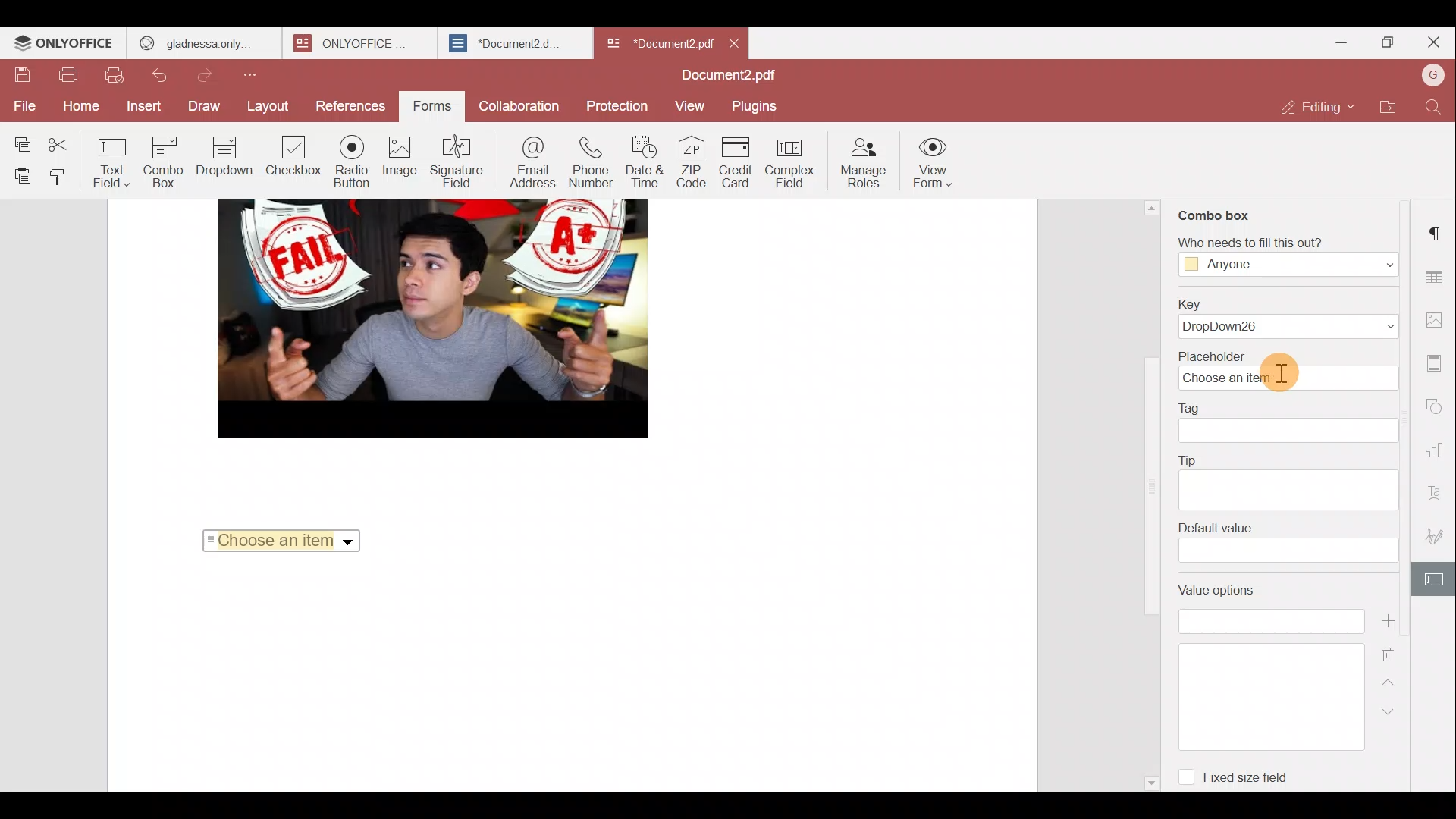 This screenshot has height=819, width=1456. What do you see at coordinates (1260, 667) in the screenshot?
I see `Value options` at bounding box center [1260, 667].